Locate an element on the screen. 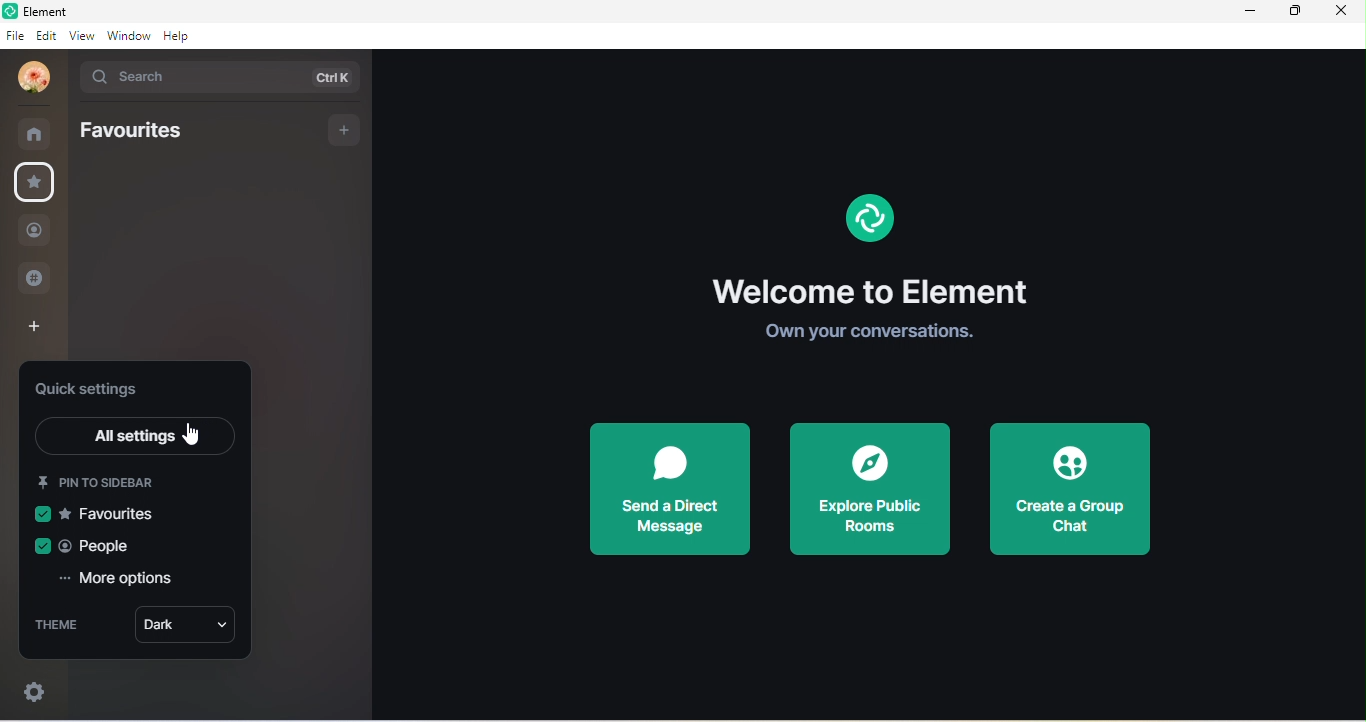  profile photo is located at coordinates (28, 78).